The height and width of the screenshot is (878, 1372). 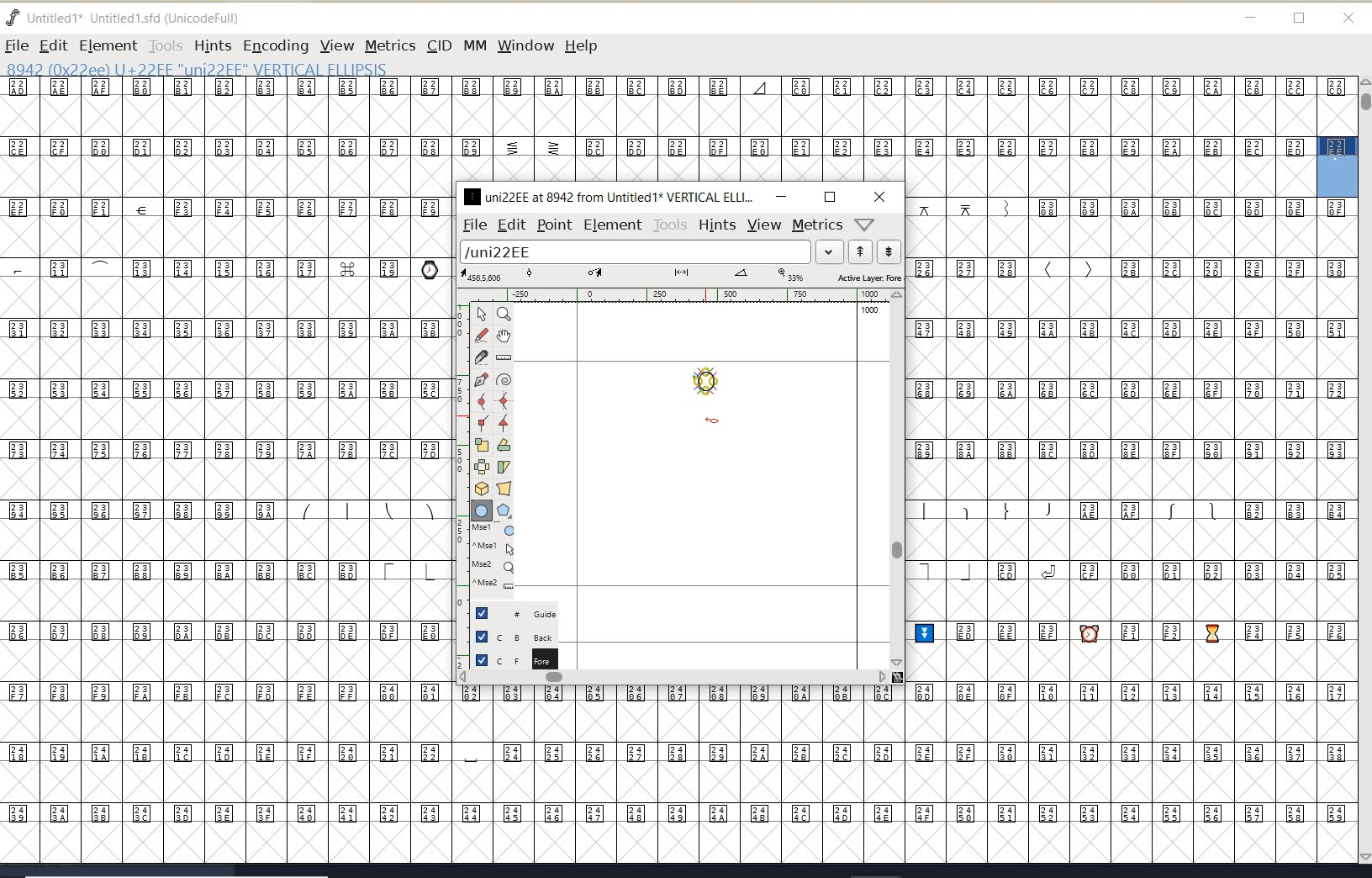 What do you see at coordinates (682, 278) in the screenshot?
I see `active layer` at bounding box center [682, 278].